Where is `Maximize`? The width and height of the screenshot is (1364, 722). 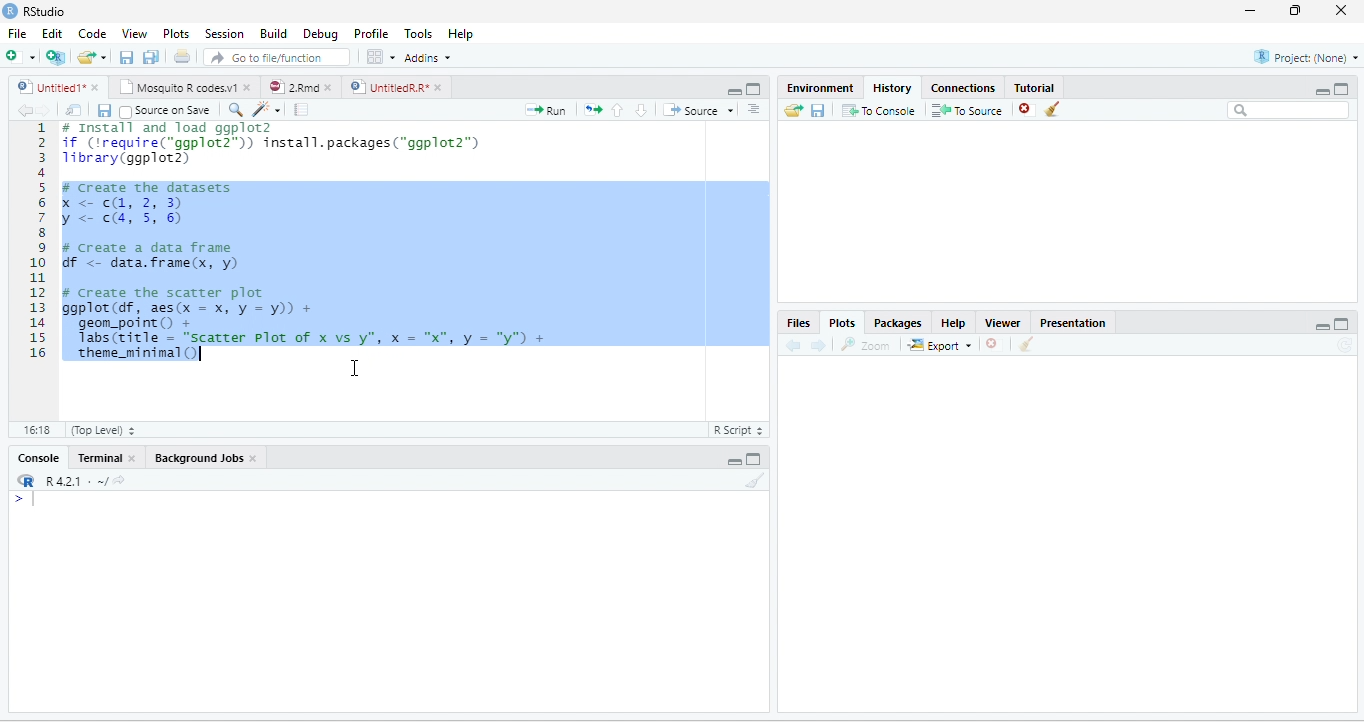
Maximize is located at coordinates (755, 89).